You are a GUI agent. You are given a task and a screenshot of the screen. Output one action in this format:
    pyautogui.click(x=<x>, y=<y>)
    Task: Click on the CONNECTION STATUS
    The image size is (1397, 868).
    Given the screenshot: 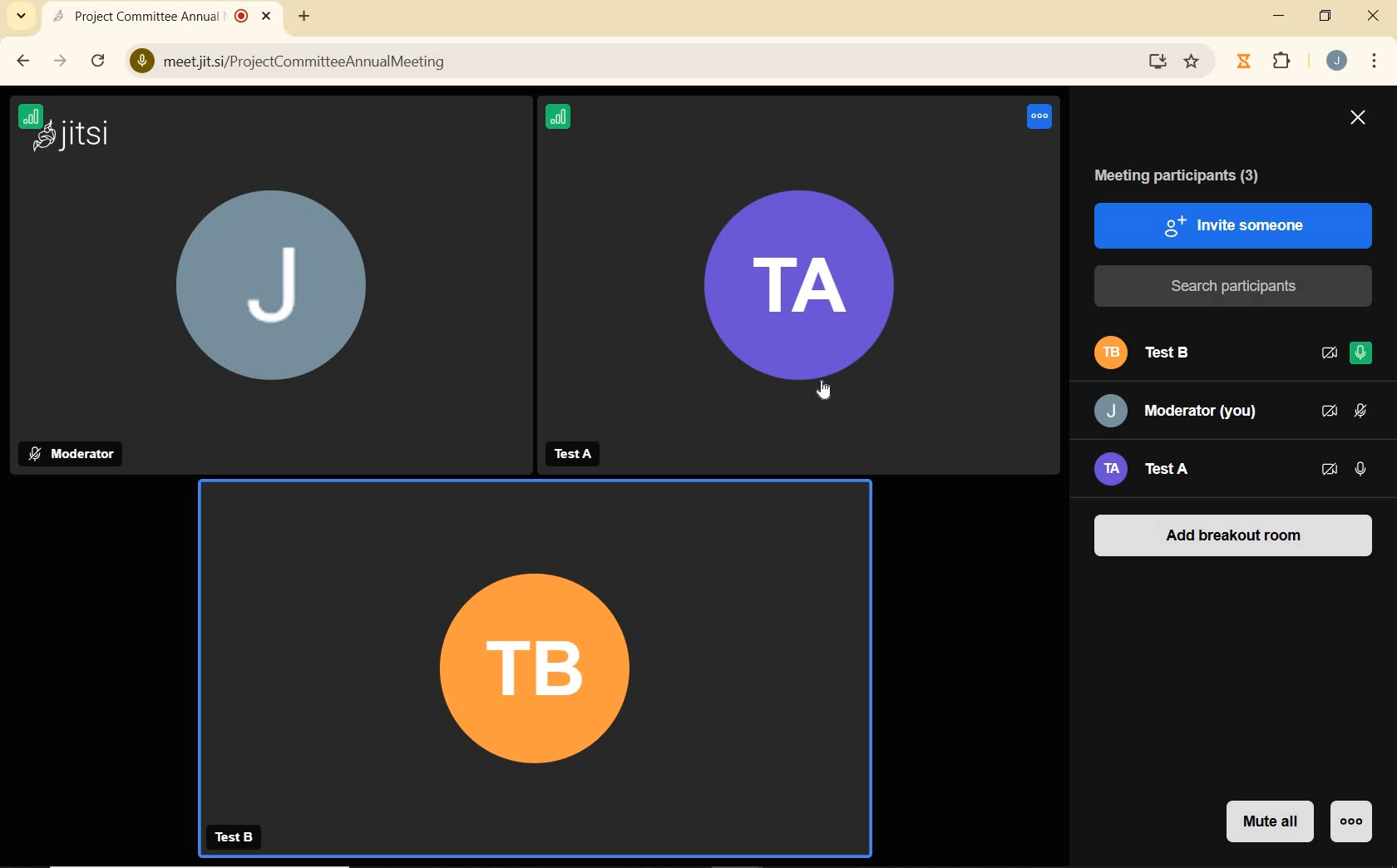 What is the action you would take?
    pyautogui.click(x=31, y=121)
    